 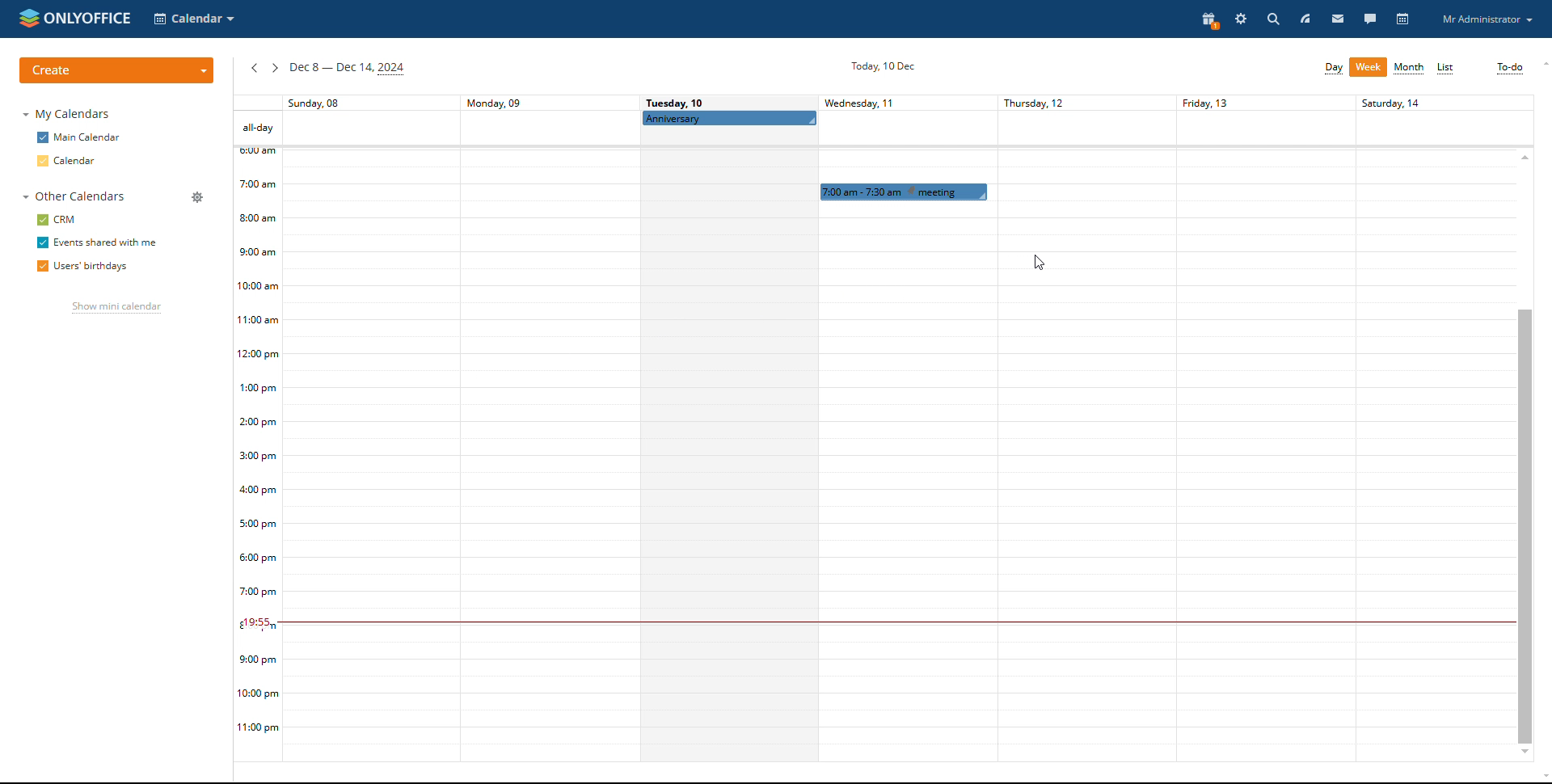 What do you see at coordinates (198, 197) in the screenshot?
I see `manage` at bounding box center [198, 197].